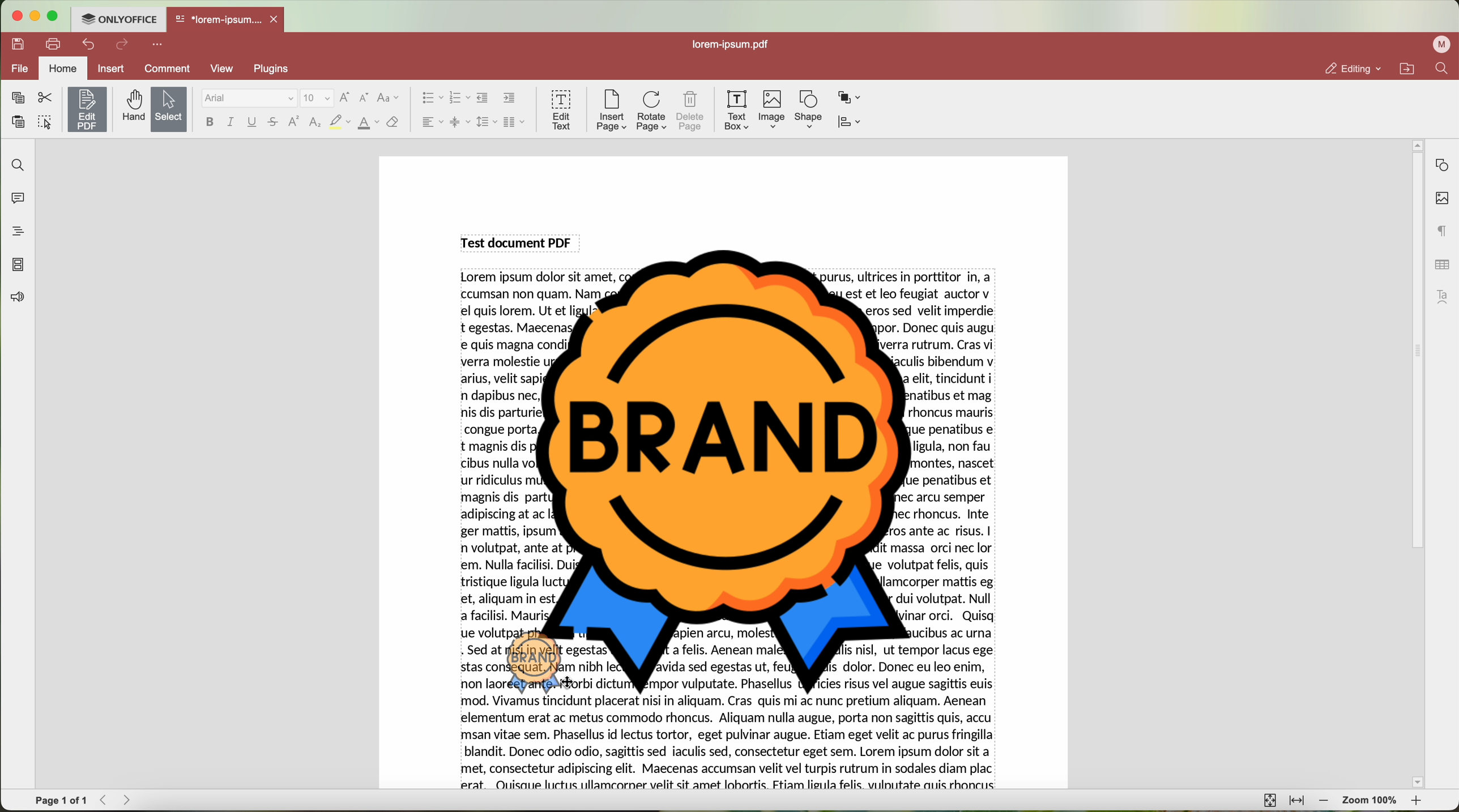 This screenshot has width=1459, height=812. What do you see at coordinates (160, 43) in the screenshot?
I see `more options` at bounding box center [160, 43].